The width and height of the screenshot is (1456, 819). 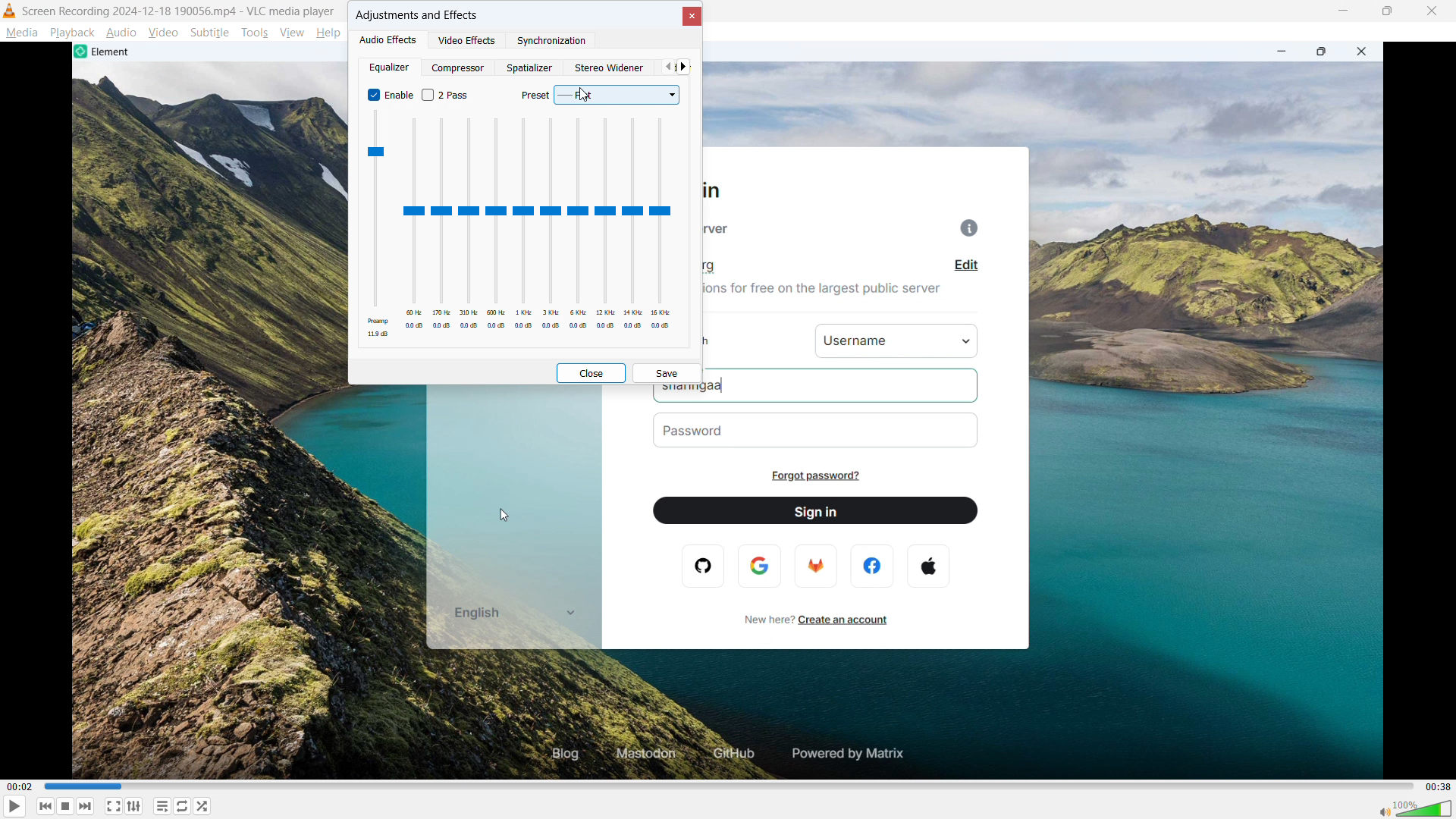 I want to click on Logo , so click(x=10, y=11).